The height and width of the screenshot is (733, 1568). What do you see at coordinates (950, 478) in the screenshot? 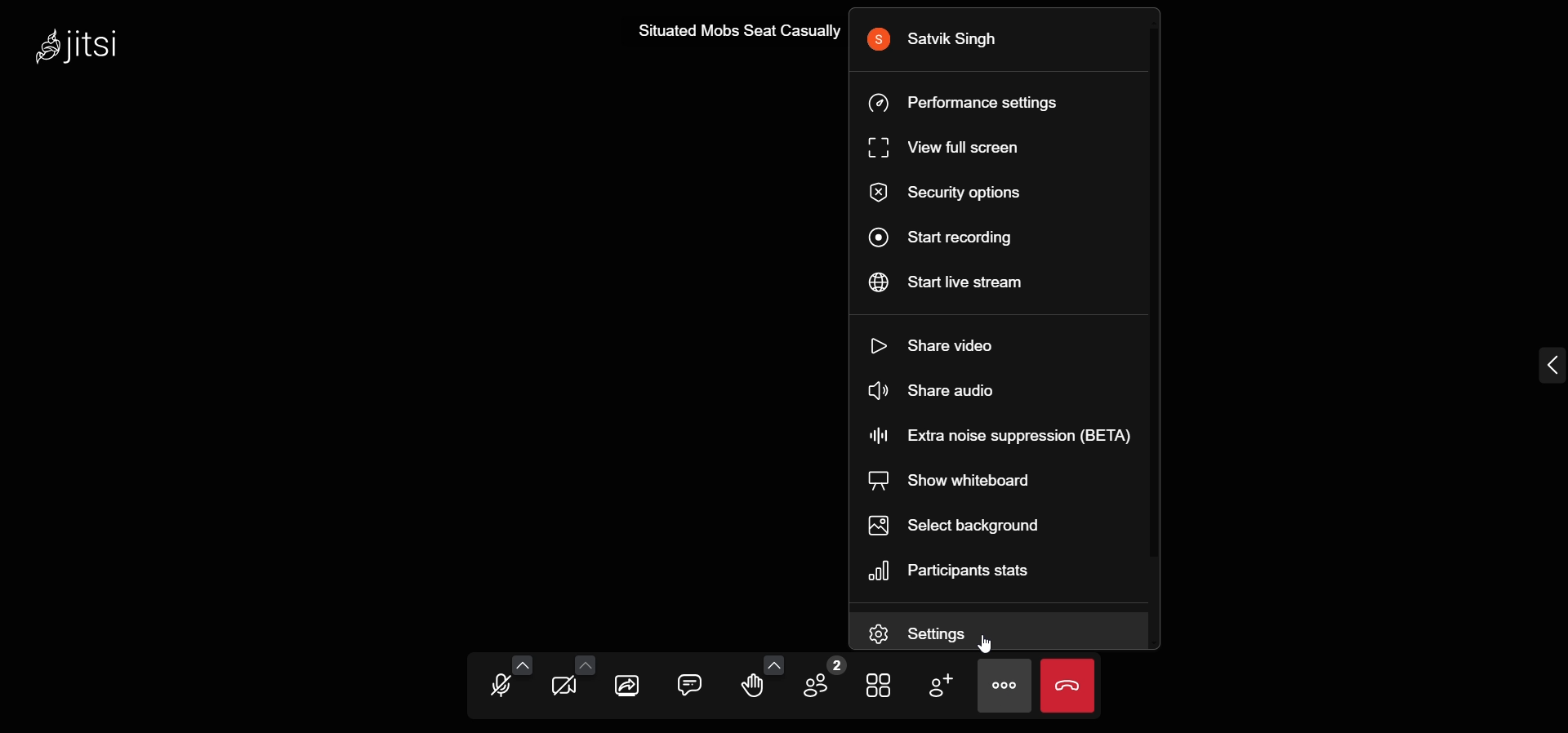
I see `show whiteboard` at bounding box center [950, 478].